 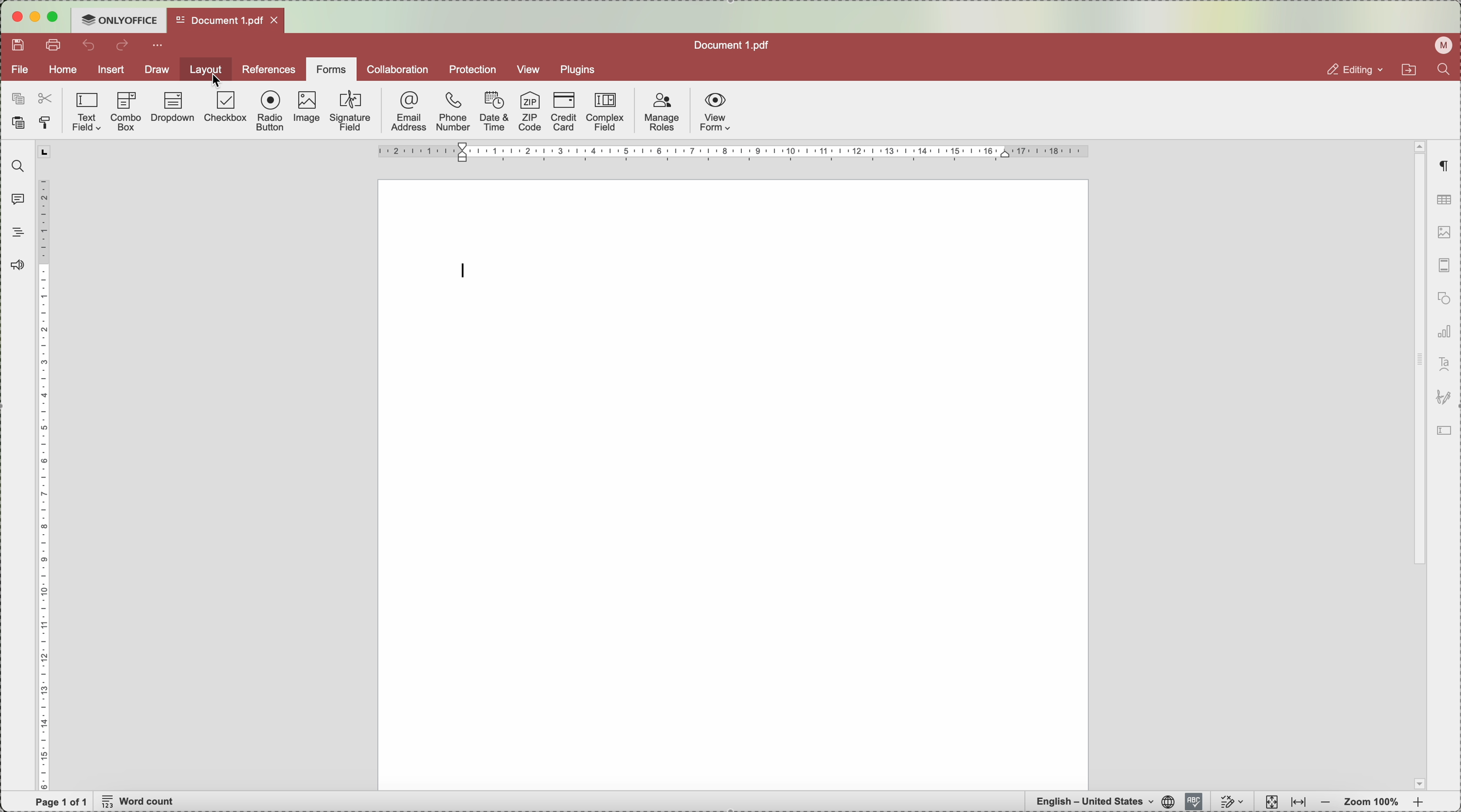 What do you see at coordinates (36, 18) in the screenshot?
I see `minimize` at bounding box center [36, 18].